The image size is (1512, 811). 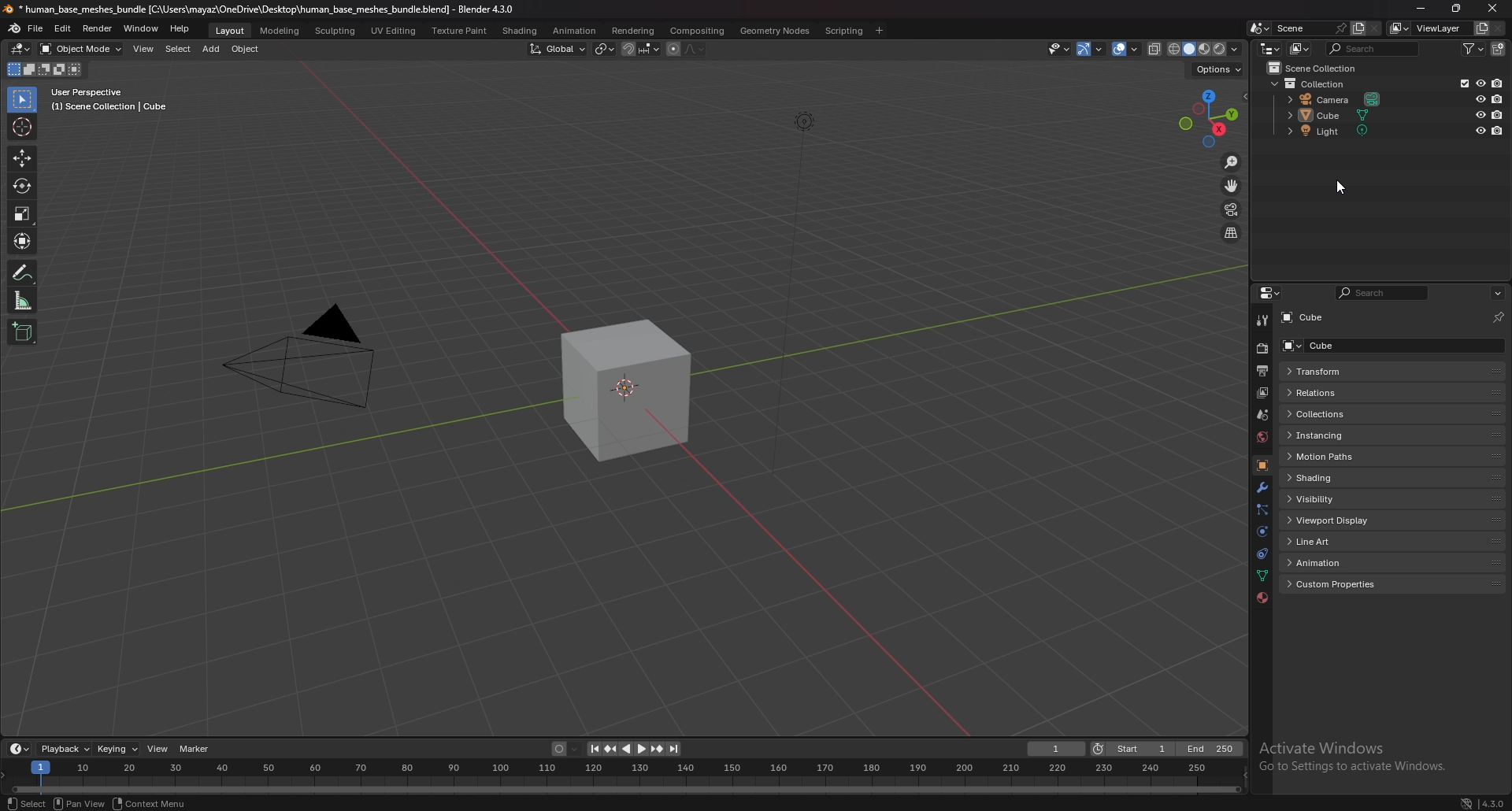 I want to click on drawing, so click(x=634, y=395).